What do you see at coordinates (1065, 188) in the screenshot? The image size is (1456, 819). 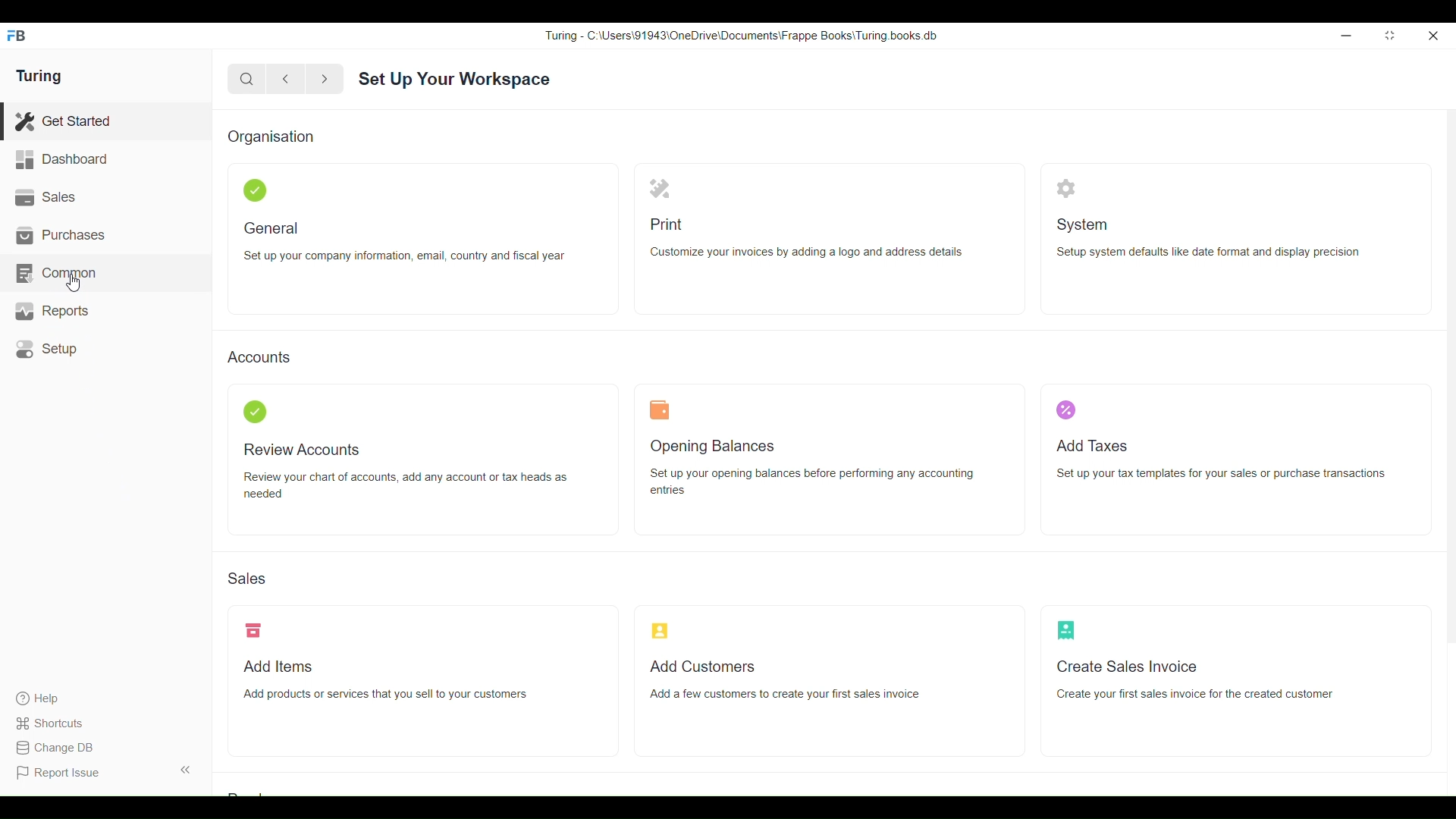 I see `System icon` at bounding box center [1065, 188].